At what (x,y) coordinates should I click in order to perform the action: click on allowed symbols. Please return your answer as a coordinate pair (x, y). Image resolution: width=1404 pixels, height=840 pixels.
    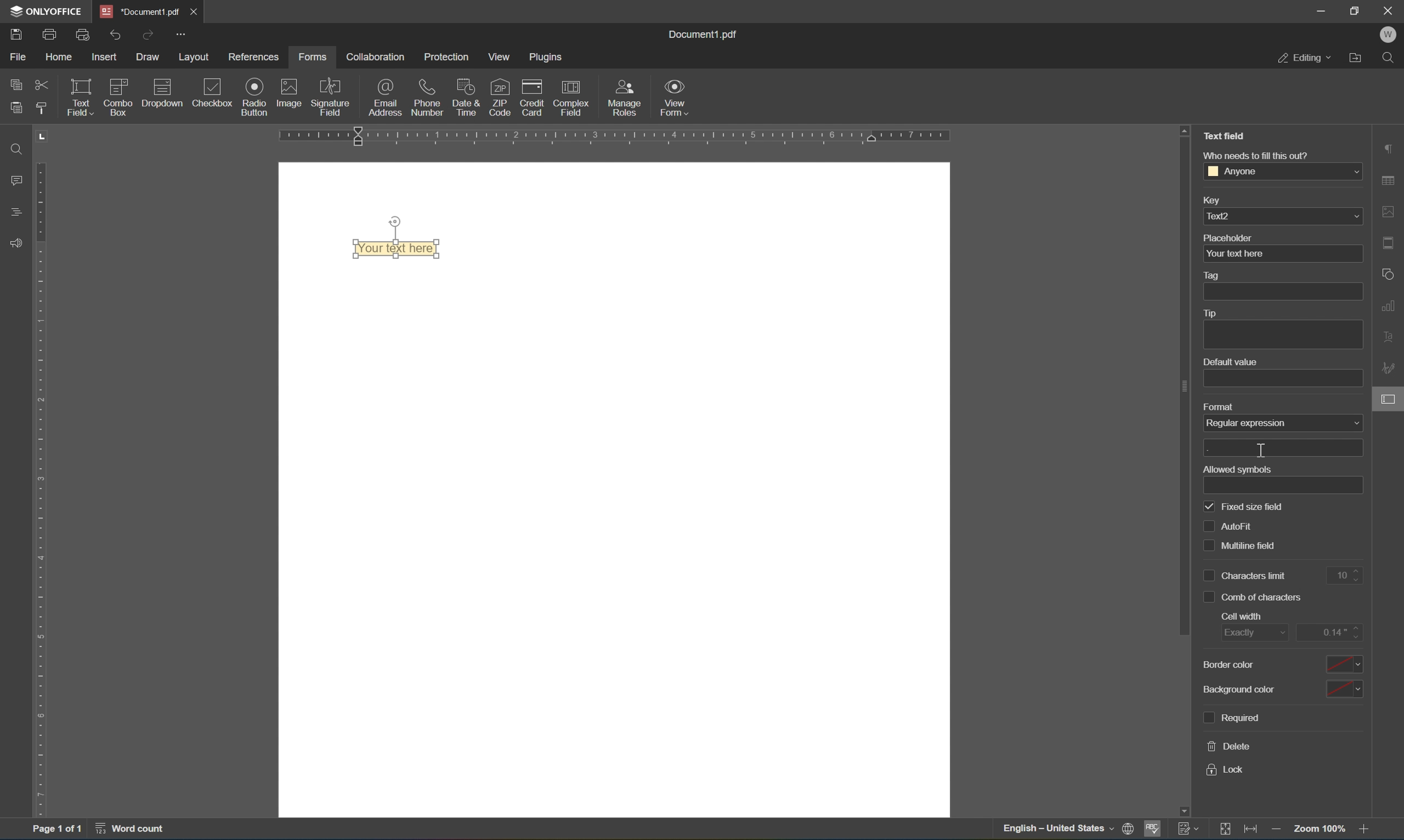
    Looking at the image, I should click on (1240, 470).